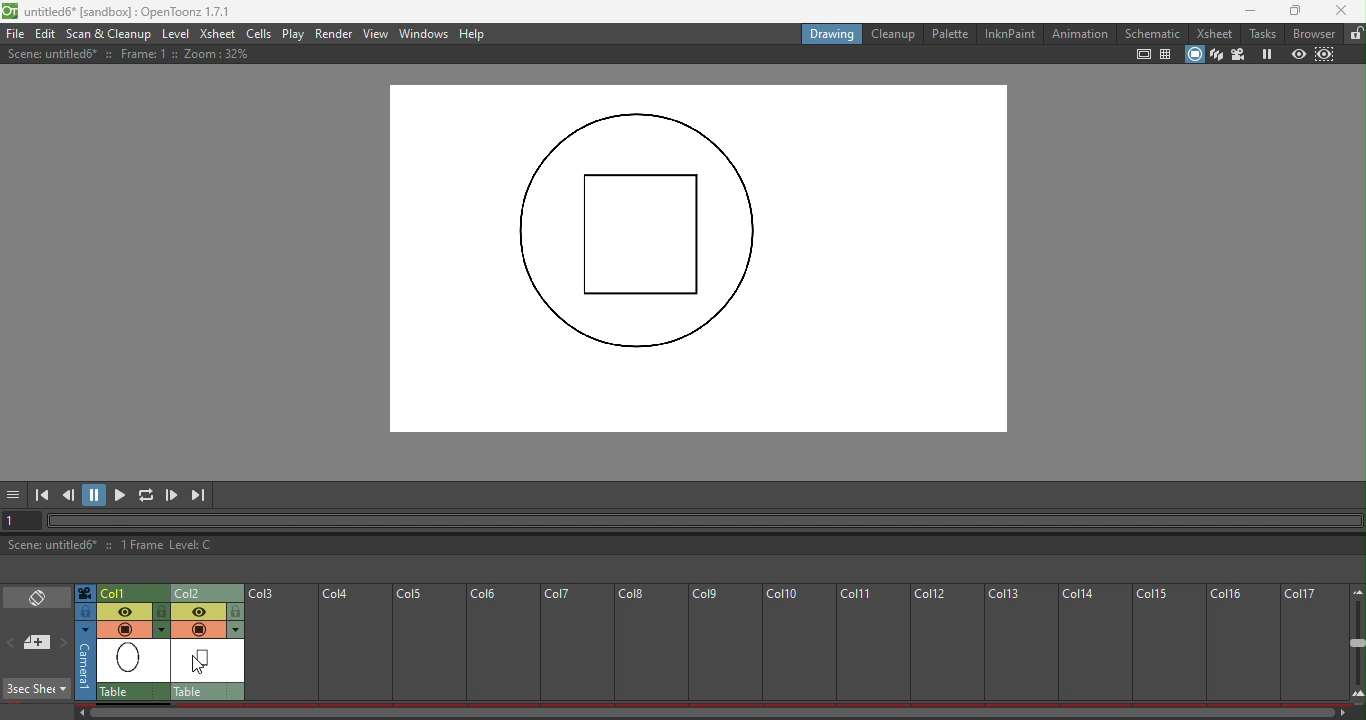 Image resolution: width=1366 pixels, height=720 pixels. Describe the element at coordinates (16, 33) in the screenshot. I see `File` at that location.